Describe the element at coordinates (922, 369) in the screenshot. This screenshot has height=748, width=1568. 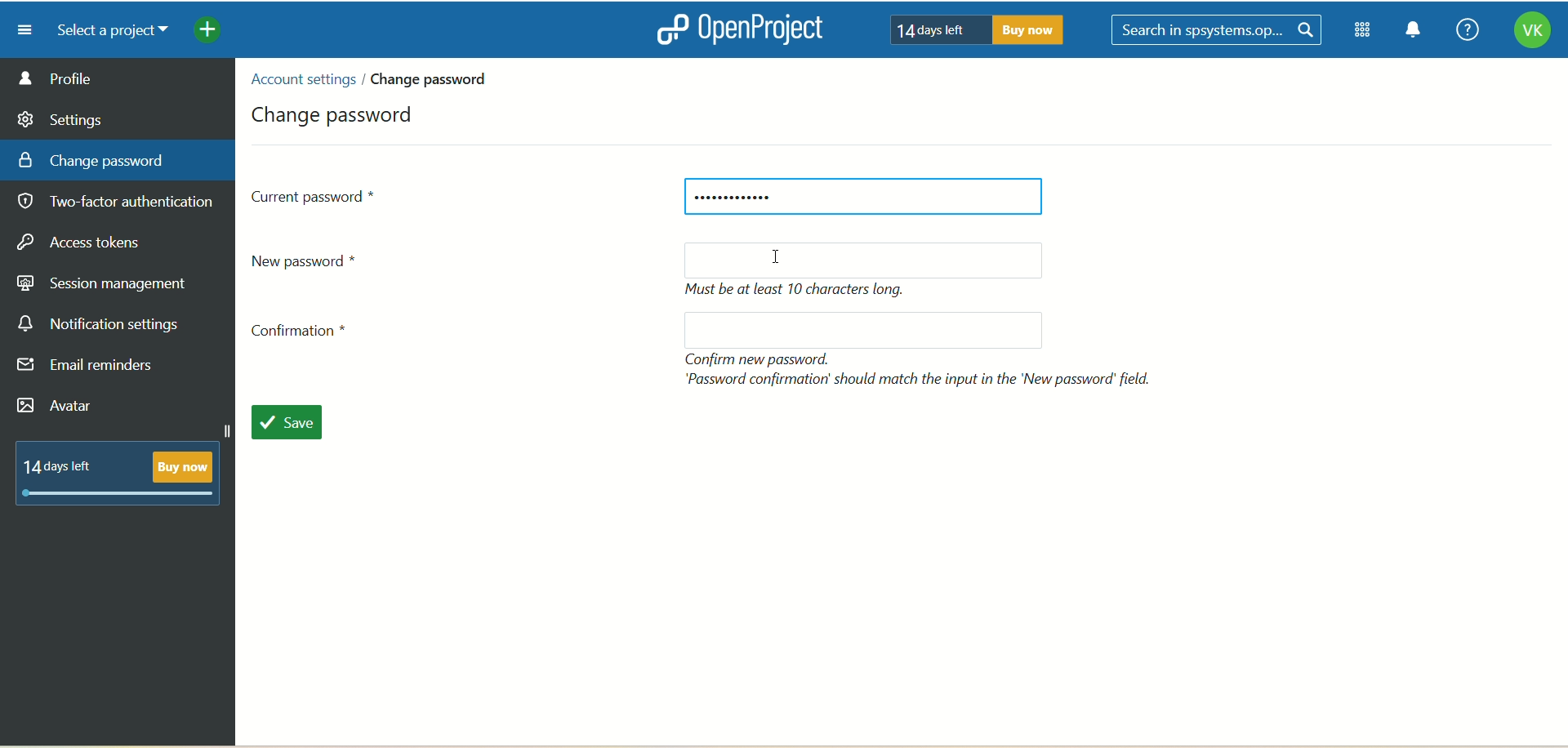
I see `text` at that location.